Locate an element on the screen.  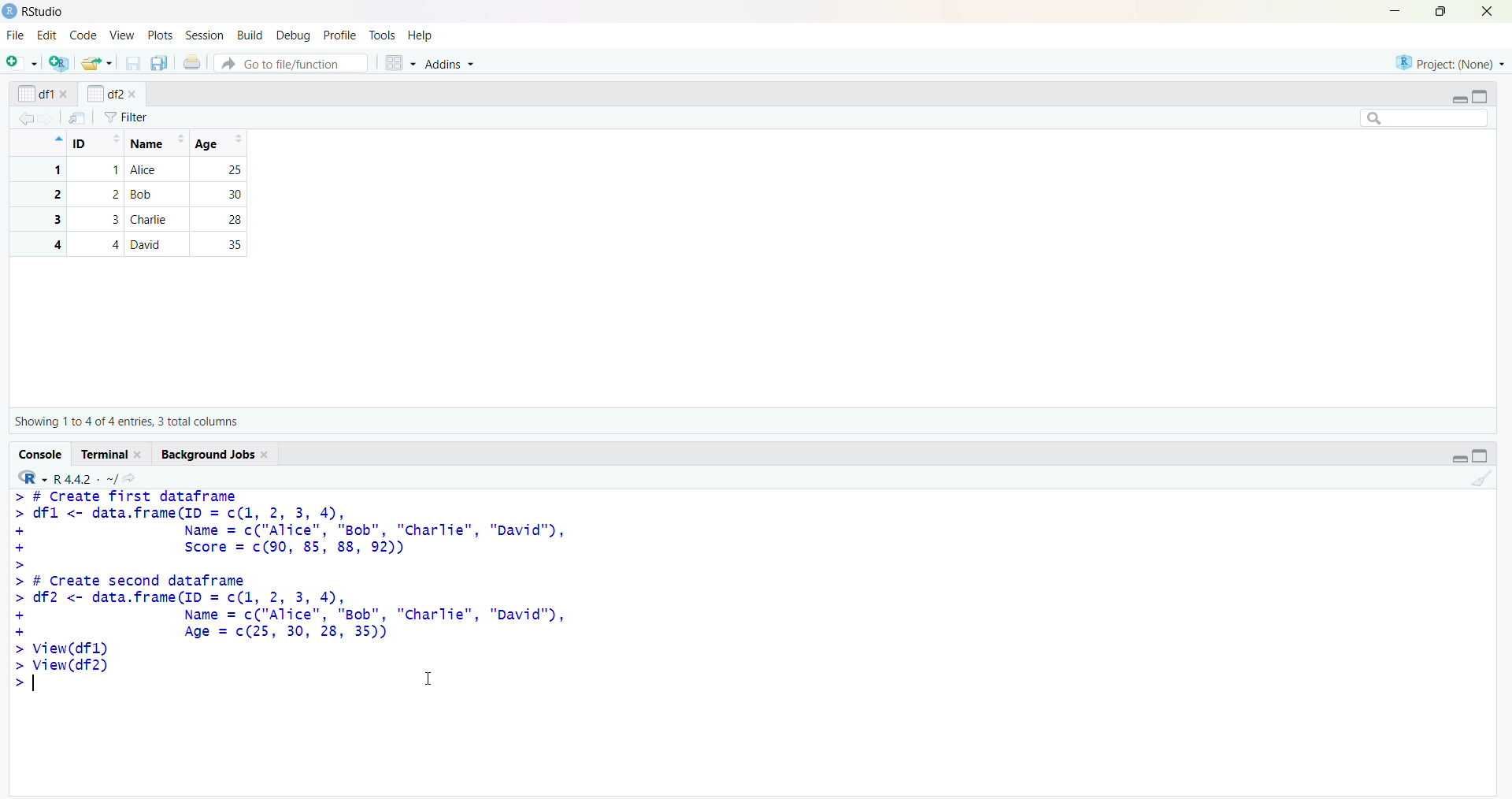
Go to file/function is located at coordinates (291, 63).